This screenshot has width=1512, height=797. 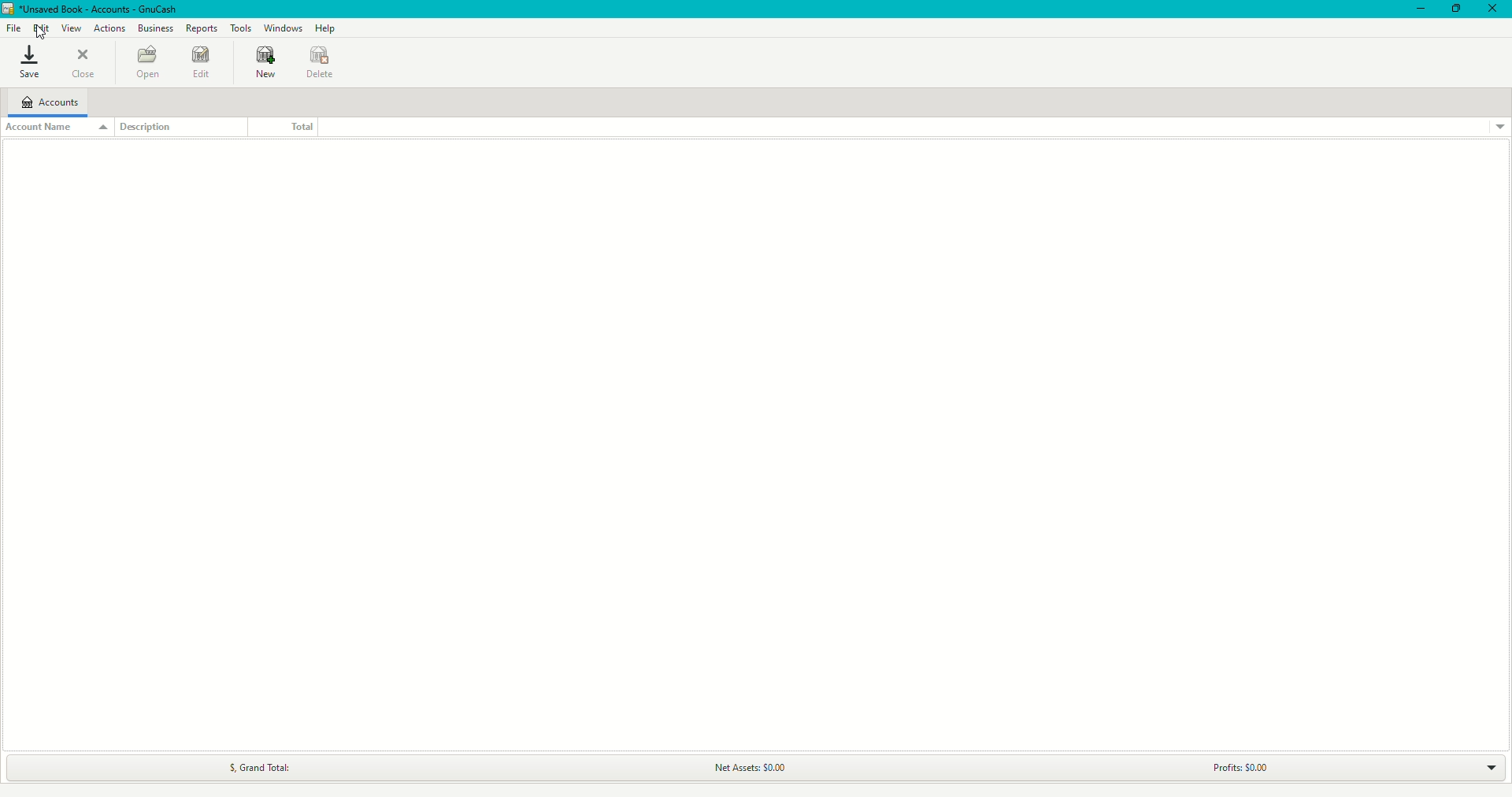 What do you see at coordinates (89, 65) in the screenshot?
I see `Close` at bounding box center [89, 65].